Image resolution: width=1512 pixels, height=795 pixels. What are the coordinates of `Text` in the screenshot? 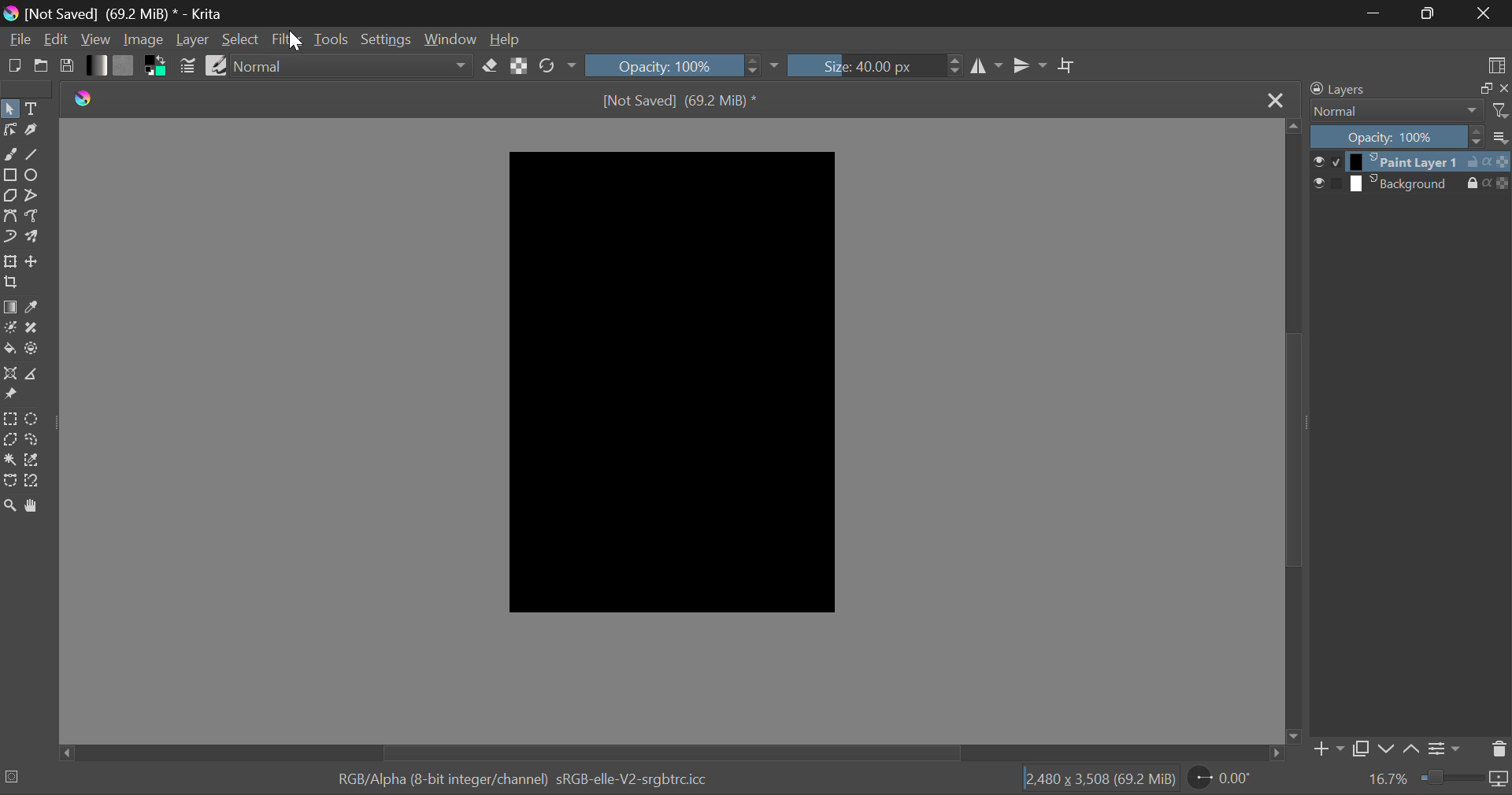 It's located at (32, 107).